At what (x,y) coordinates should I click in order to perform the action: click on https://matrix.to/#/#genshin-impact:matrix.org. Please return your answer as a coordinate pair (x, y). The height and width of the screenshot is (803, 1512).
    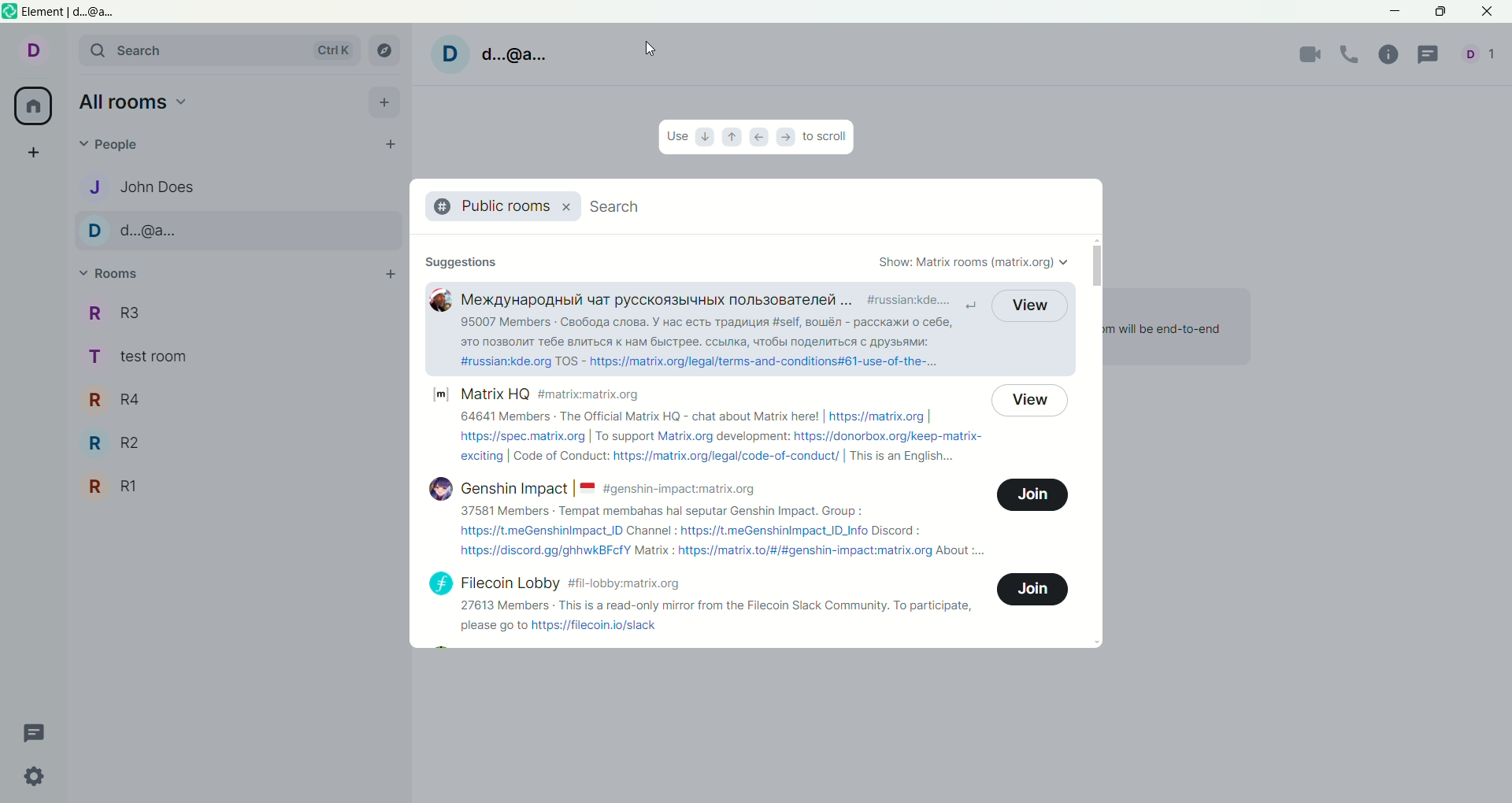
    Looking at the image, I should click on (805, 551).